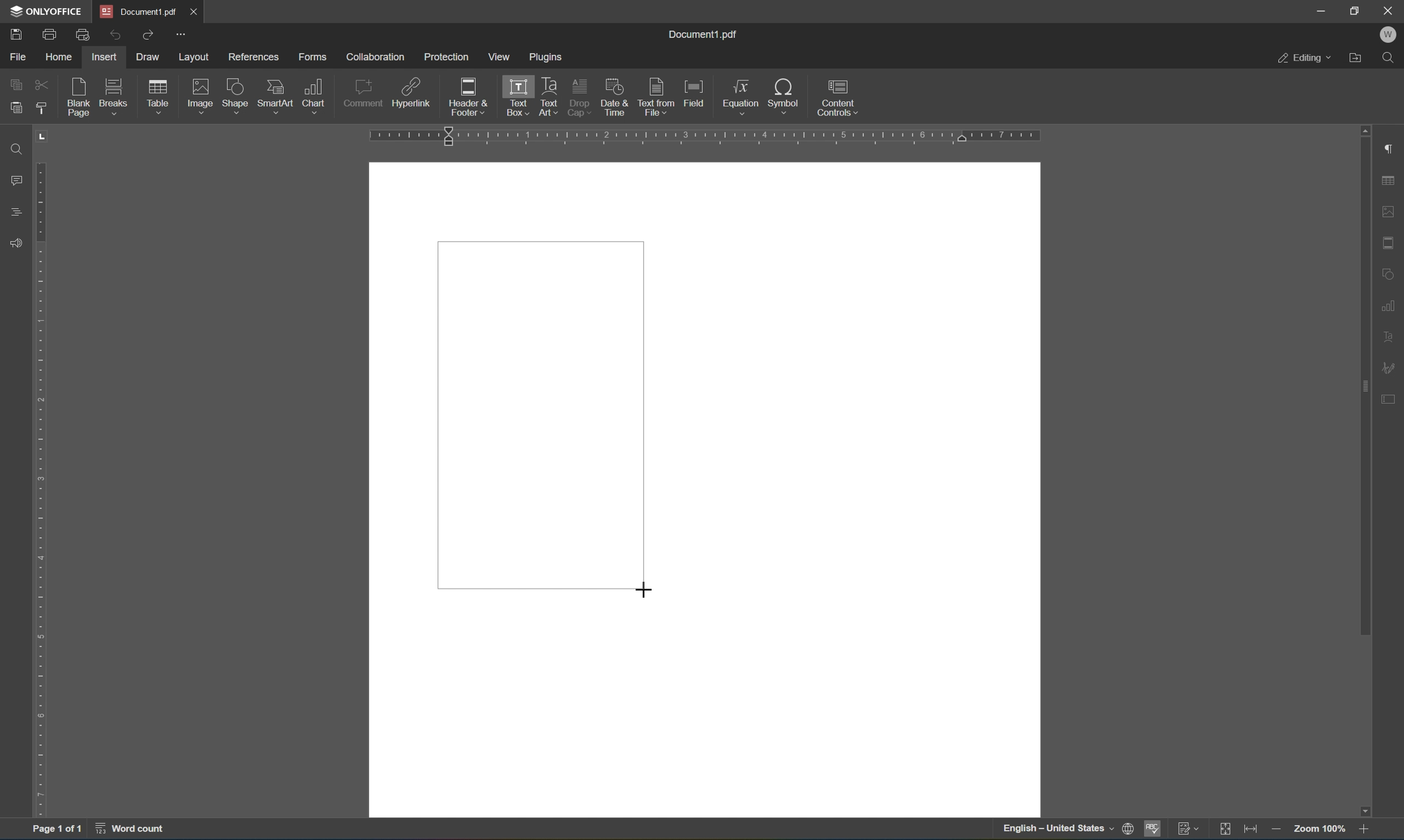 The height and width of the screenshot is (840, 1404). Describe the element at coordinates (703, 136) in the screenshot. I see `ruler` at that location.